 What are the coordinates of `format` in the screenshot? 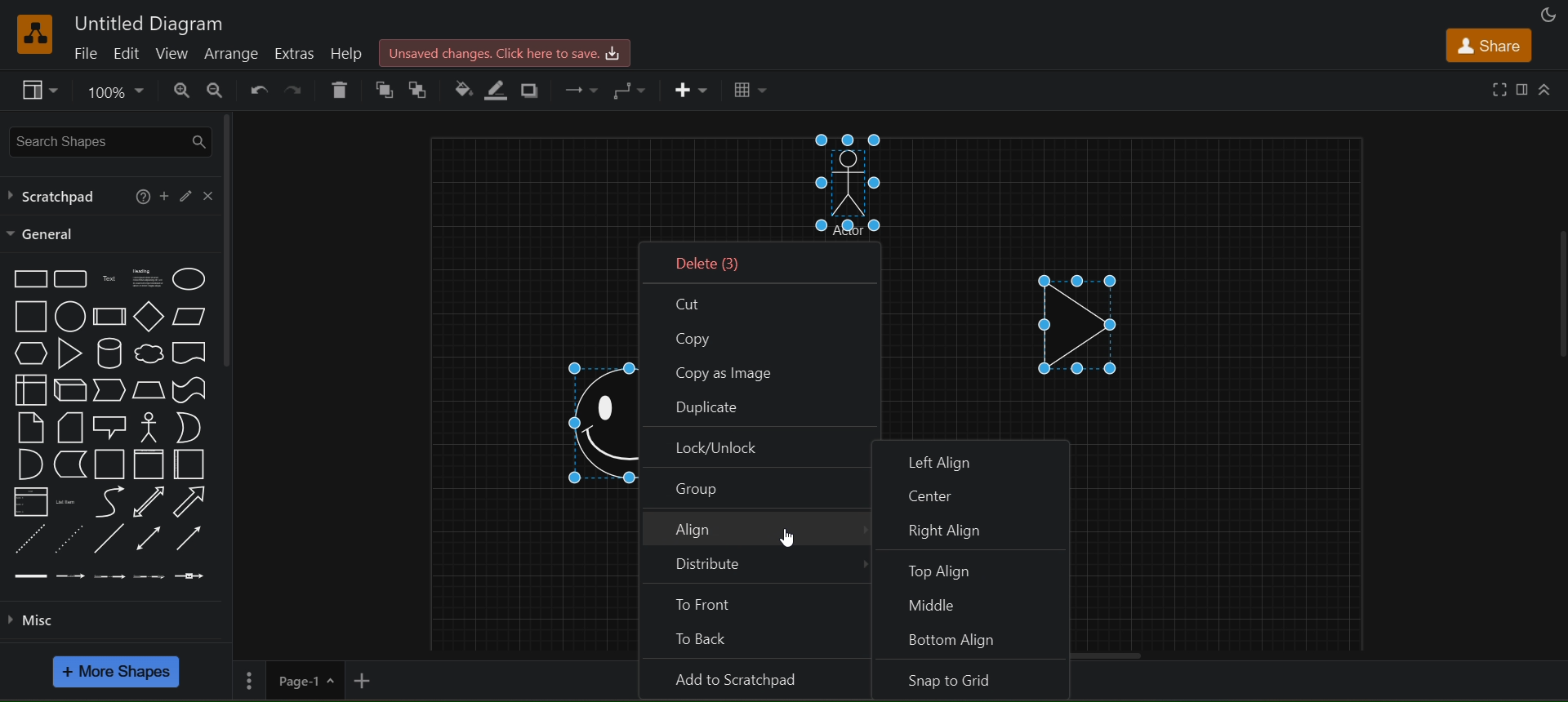 It's located at (1522, 88).